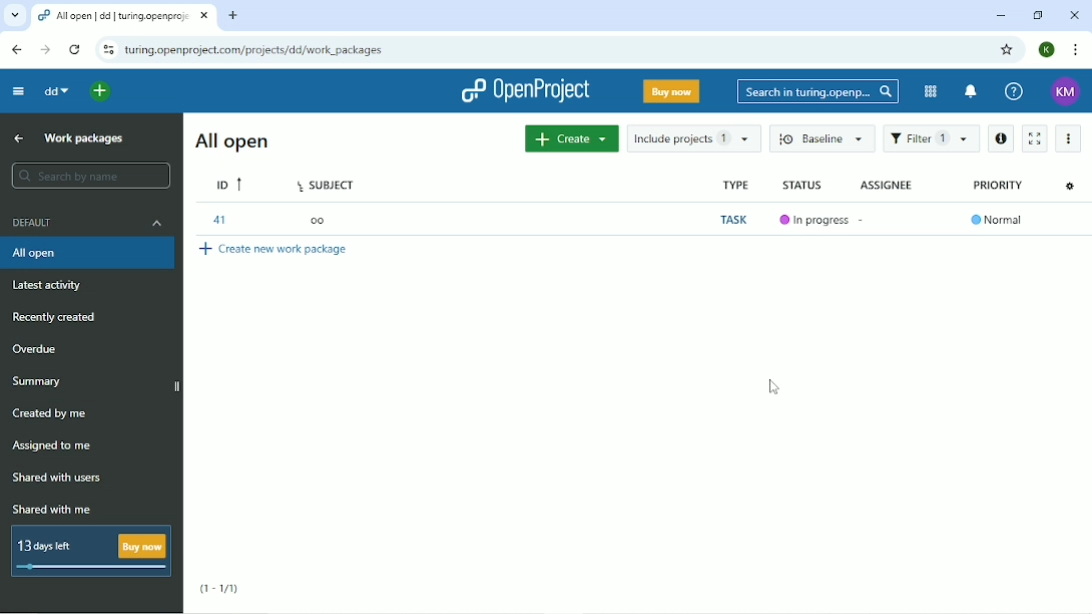  I want to click on Cursor, so click(773, 387).